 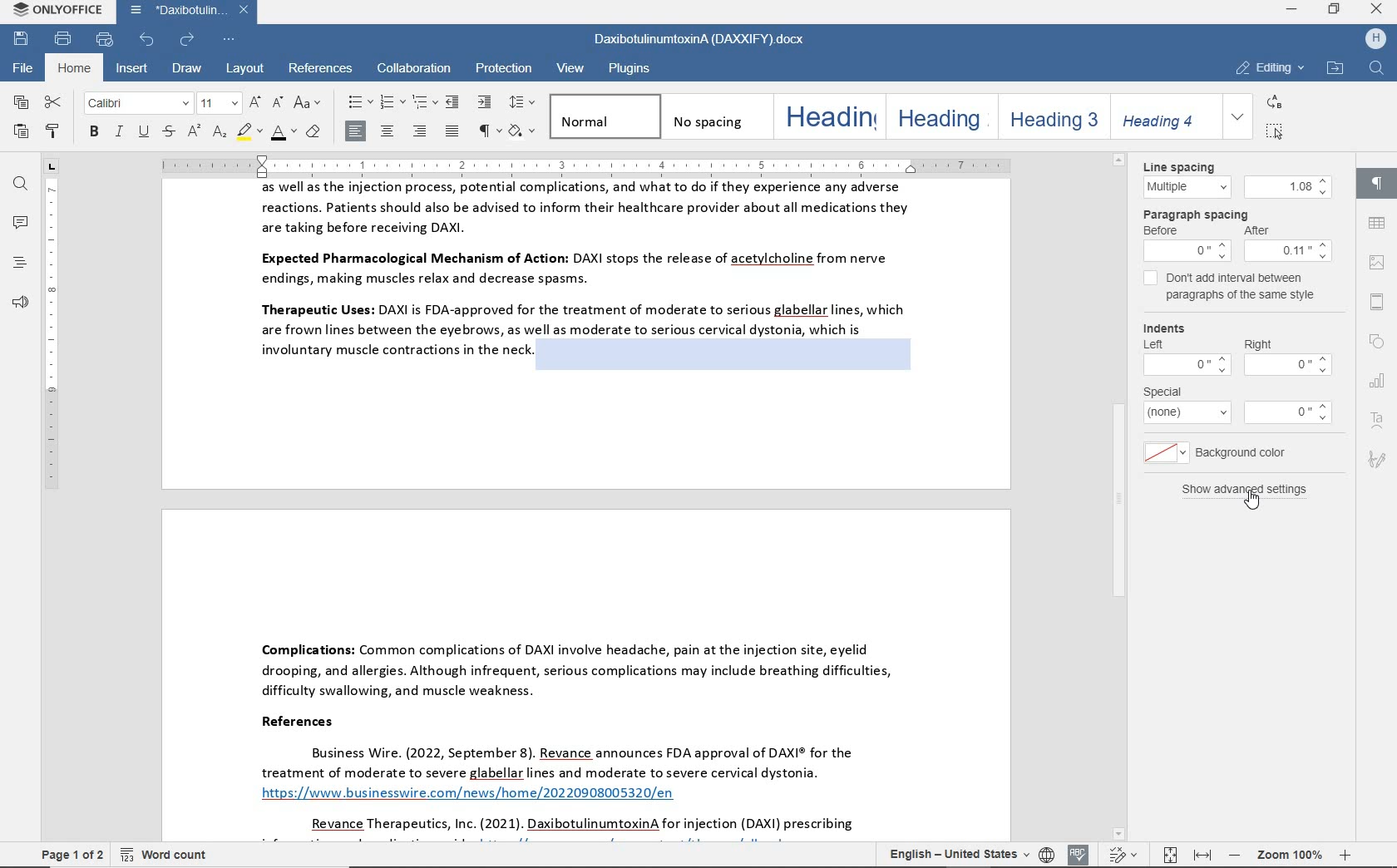 I want to click on paste, so click(x=22, y=133).